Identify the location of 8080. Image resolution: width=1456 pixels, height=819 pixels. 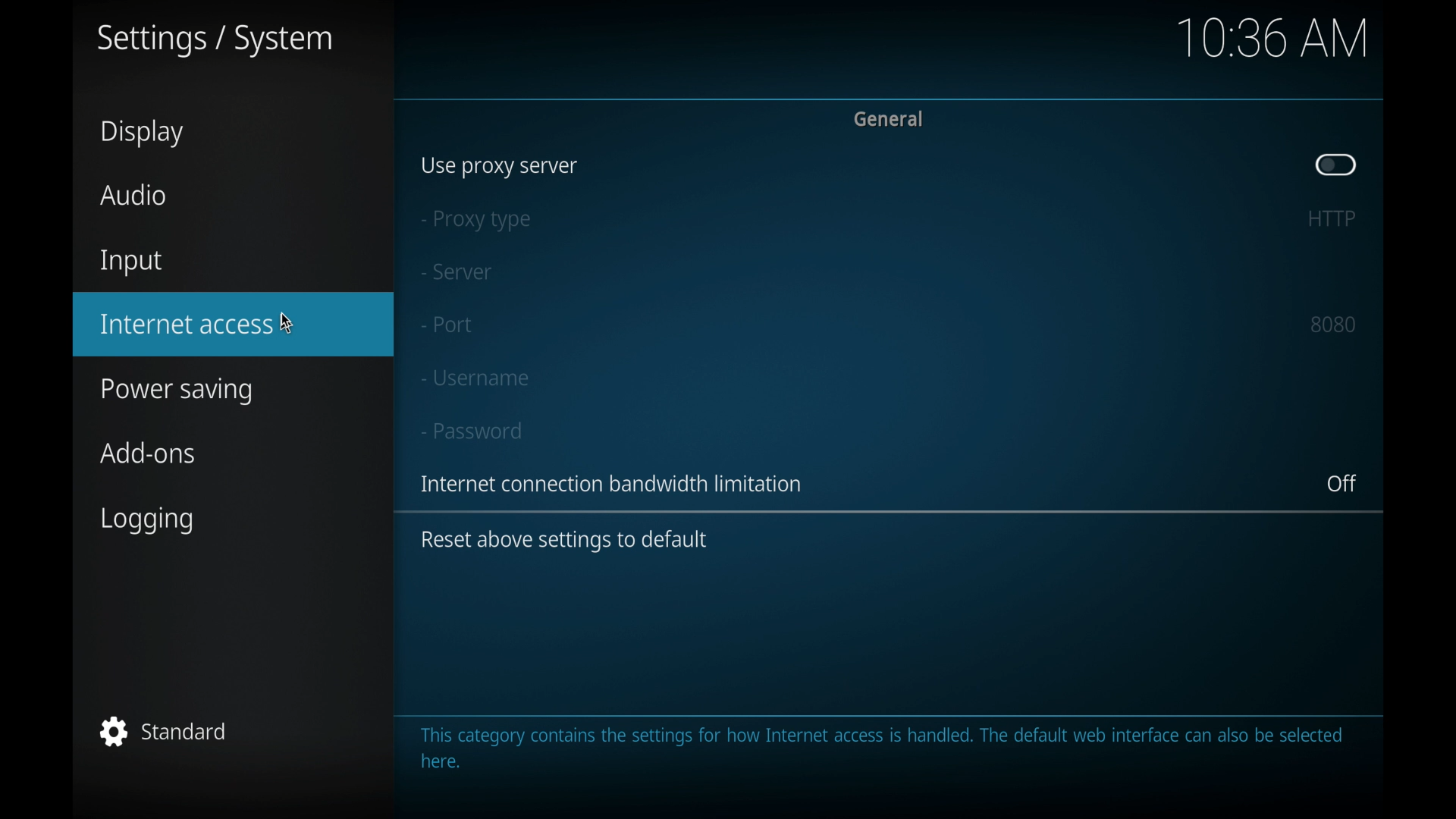
(1334, 324).